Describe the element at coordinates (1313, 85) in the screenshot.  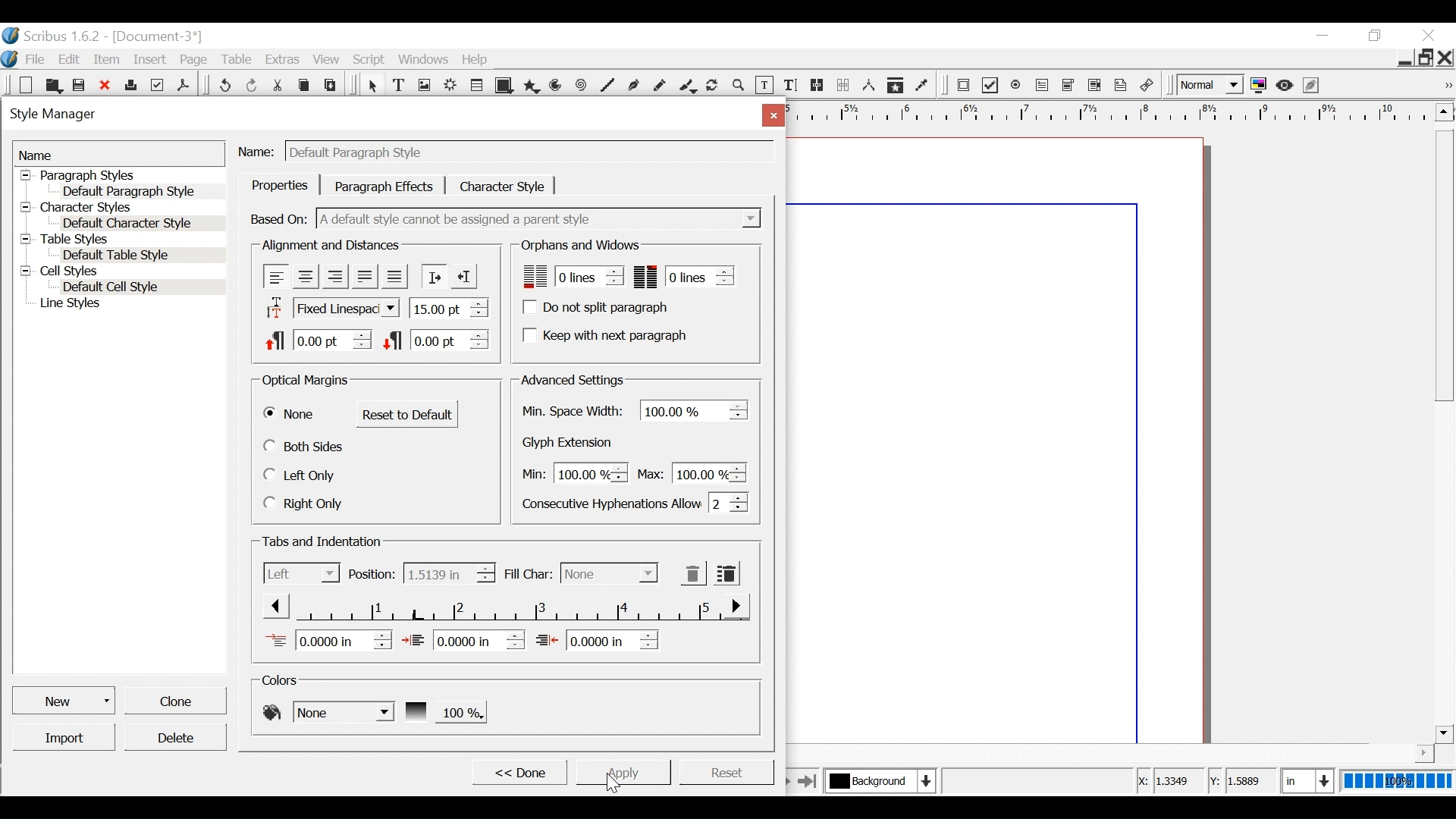
I see `Edit in Preview mode` at that location.